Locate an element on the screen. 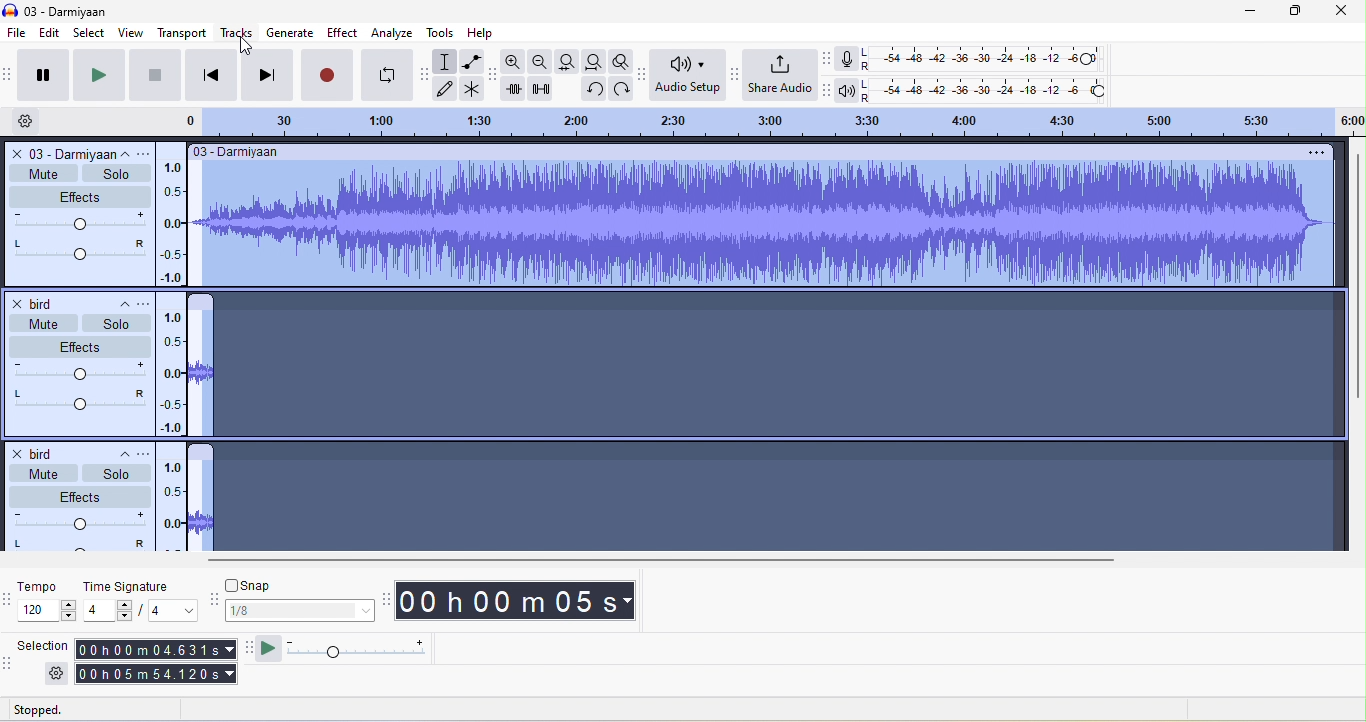 This screenshot has height=722, width=1366. linear is located at coordinates (173, 371).